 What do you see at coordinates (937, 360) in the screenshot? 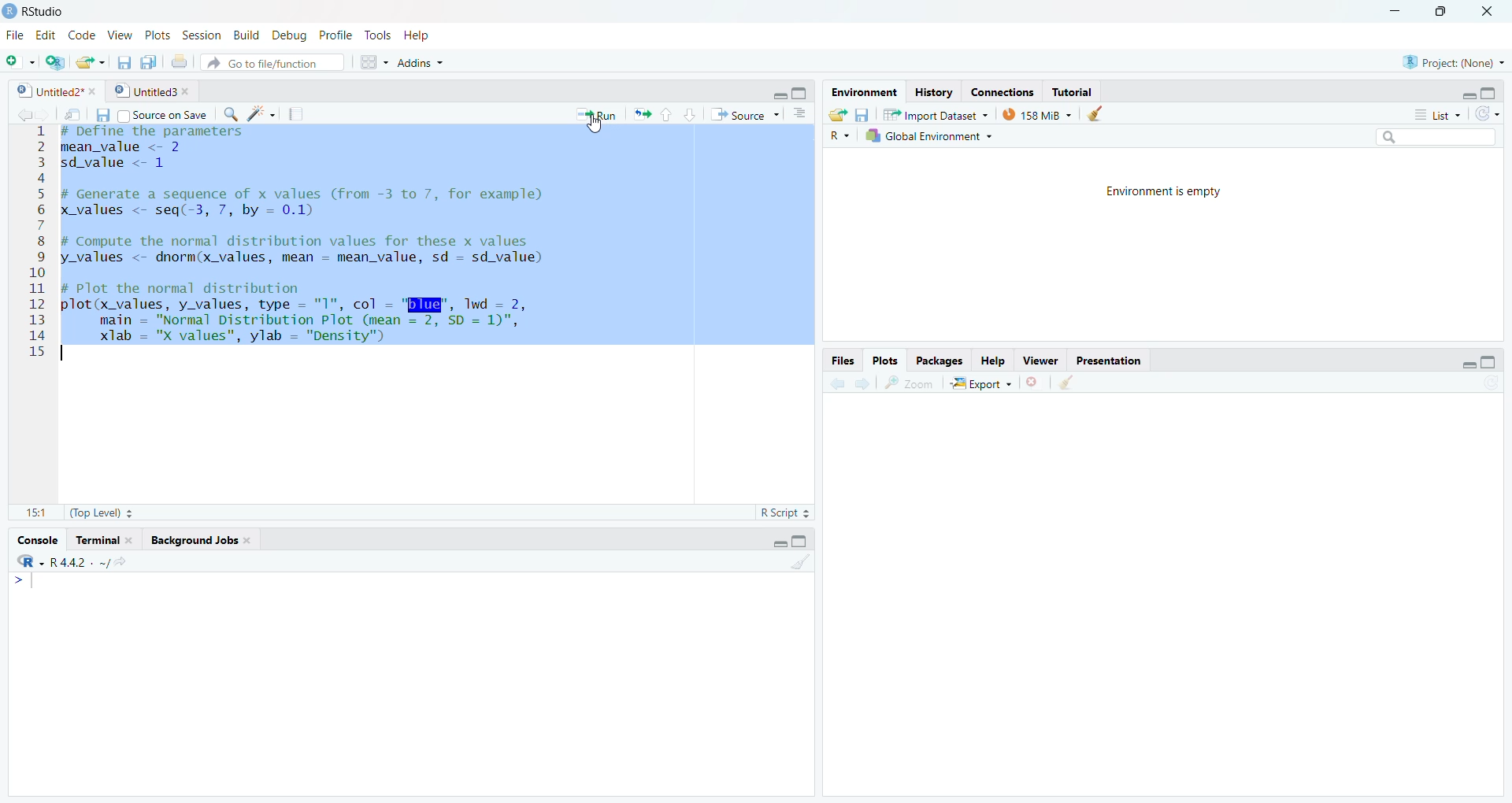
I see `Packages` at bounding box center [937, 360].